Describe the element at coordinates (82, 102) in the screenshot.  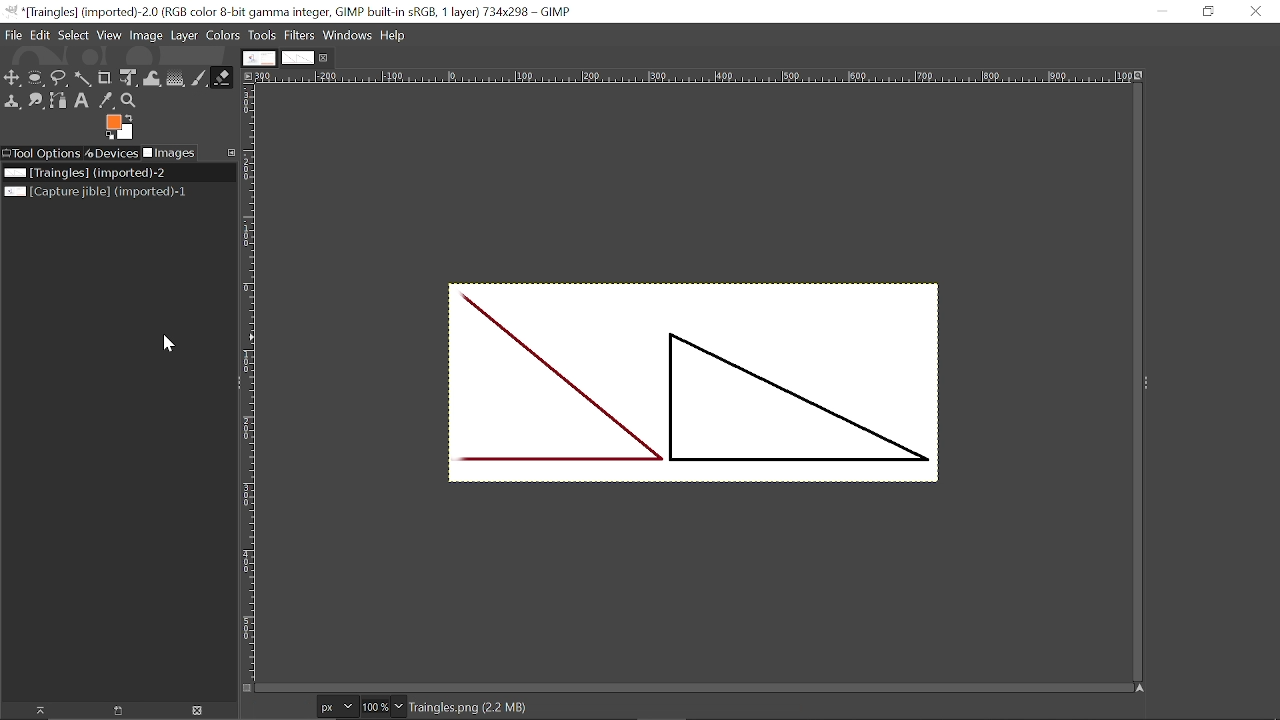
I see `Text tool` at that location.